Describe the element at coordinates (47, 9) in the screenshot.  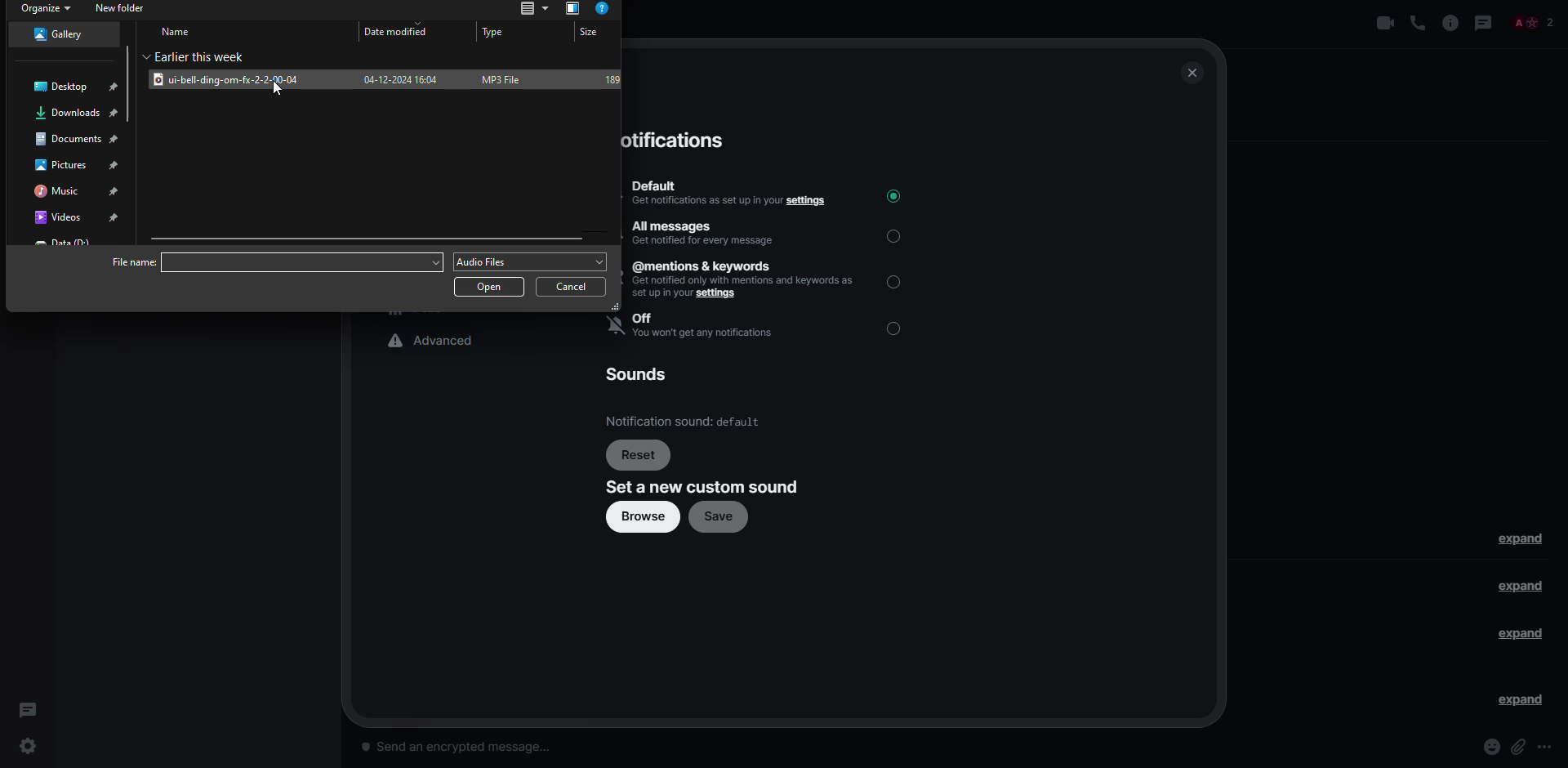
I see `Organize` at that location.